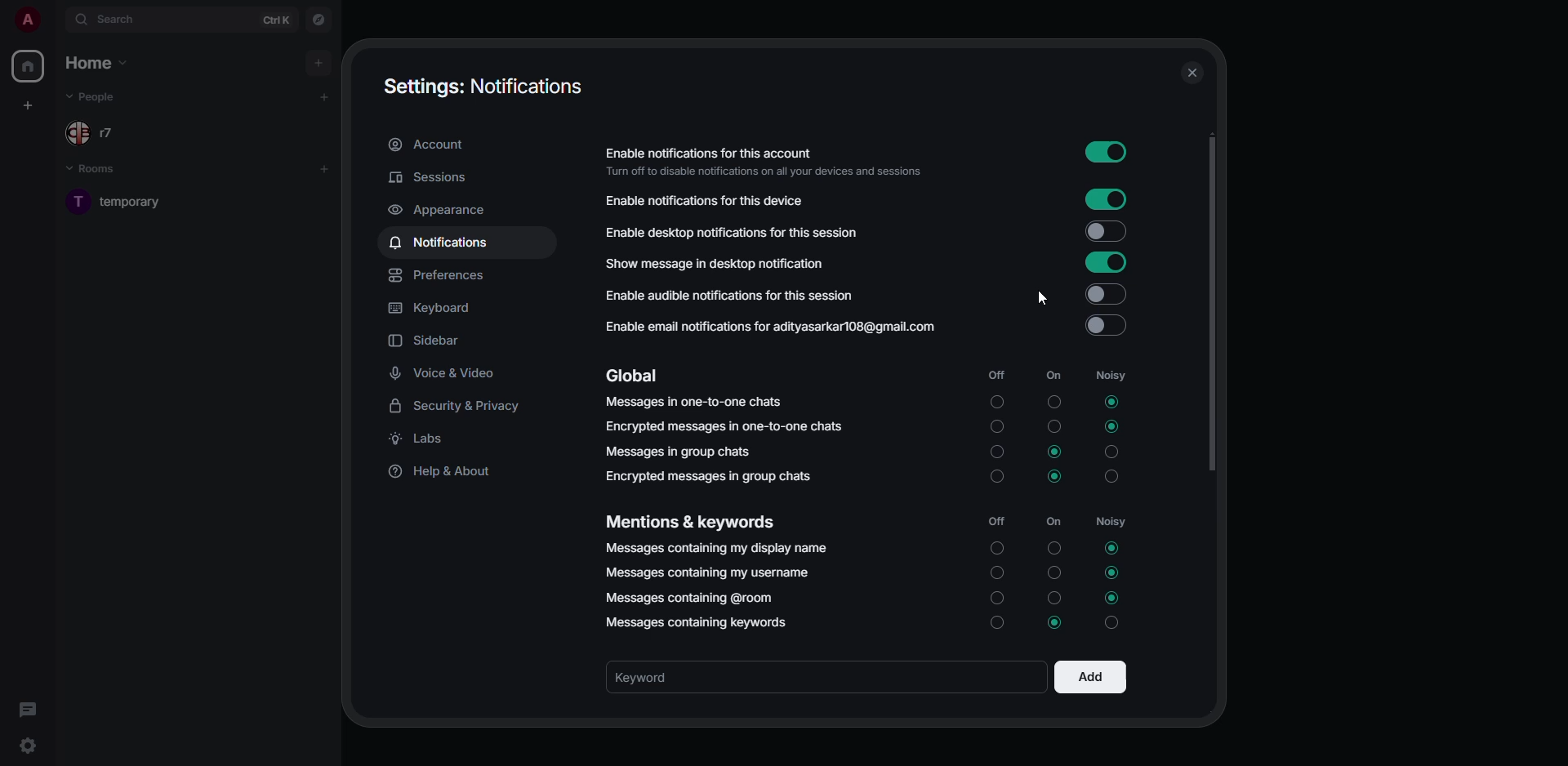 Image resolution: width=1568 pixels, height=766 pixels. Describe the element at coordinates (317, 61) in the screenshot. I see `add` at that location.